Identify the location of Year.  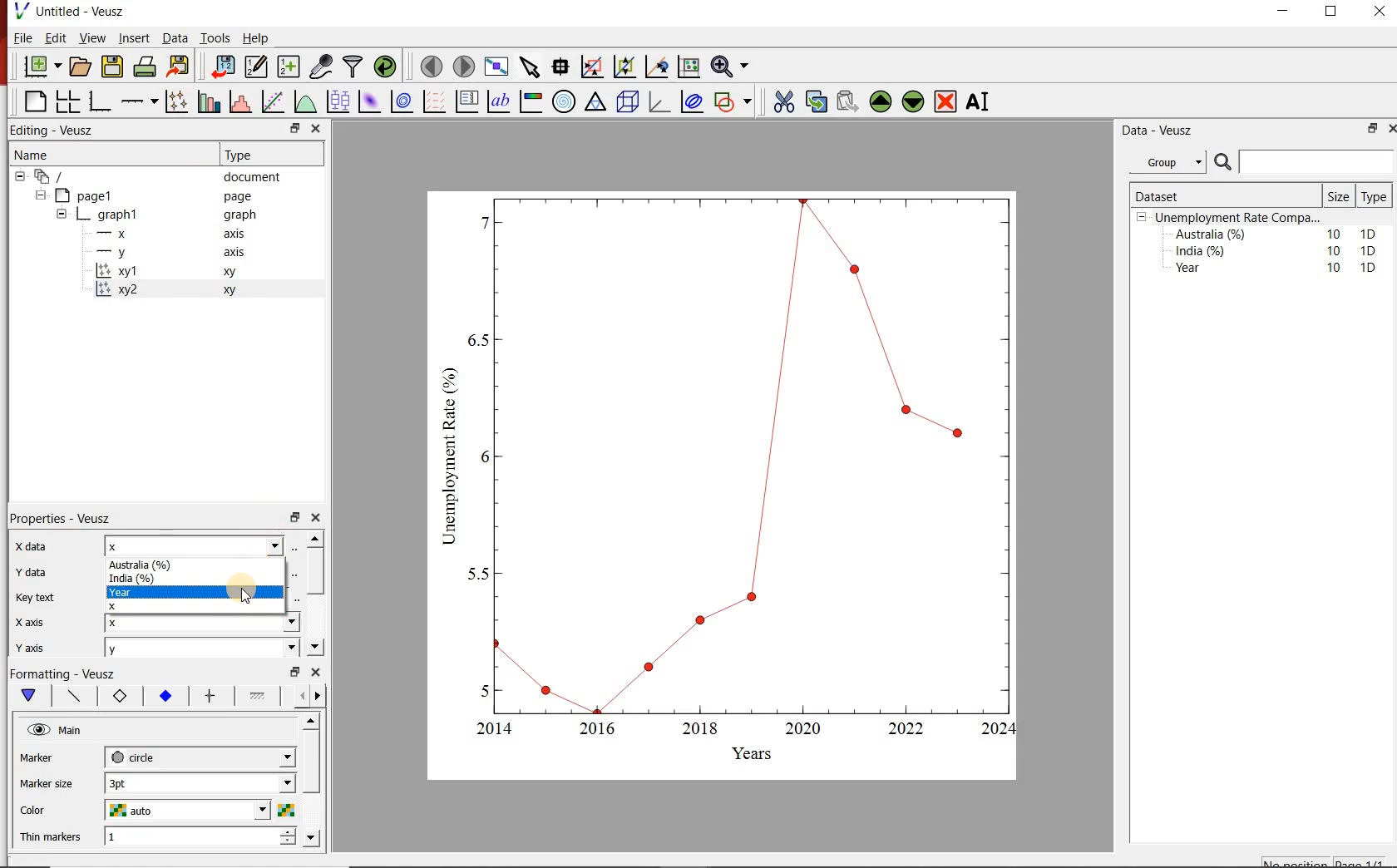
(193, 595).